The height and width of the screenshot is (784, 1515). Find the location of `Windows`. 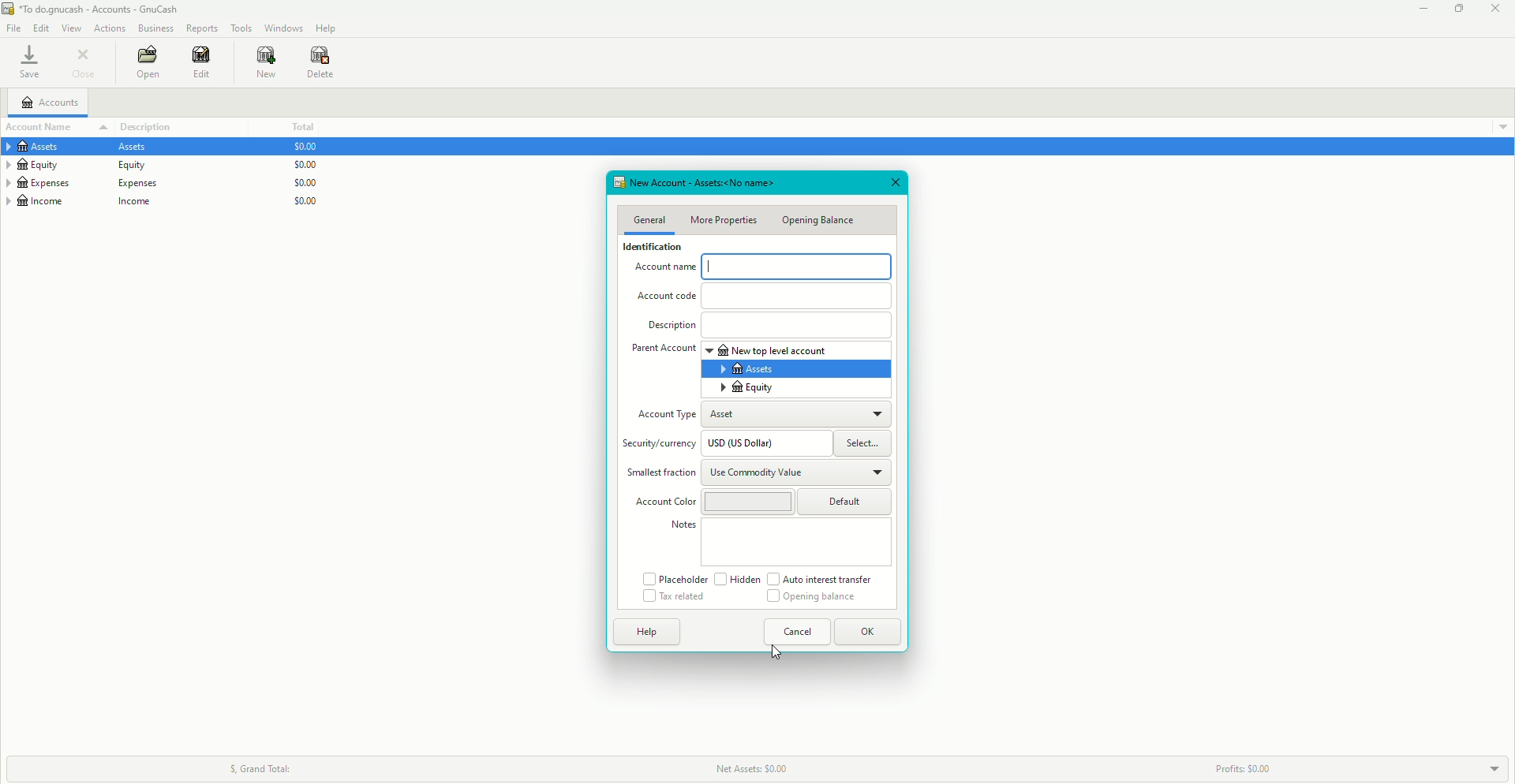

Windows is located at coordinates (282, 27).